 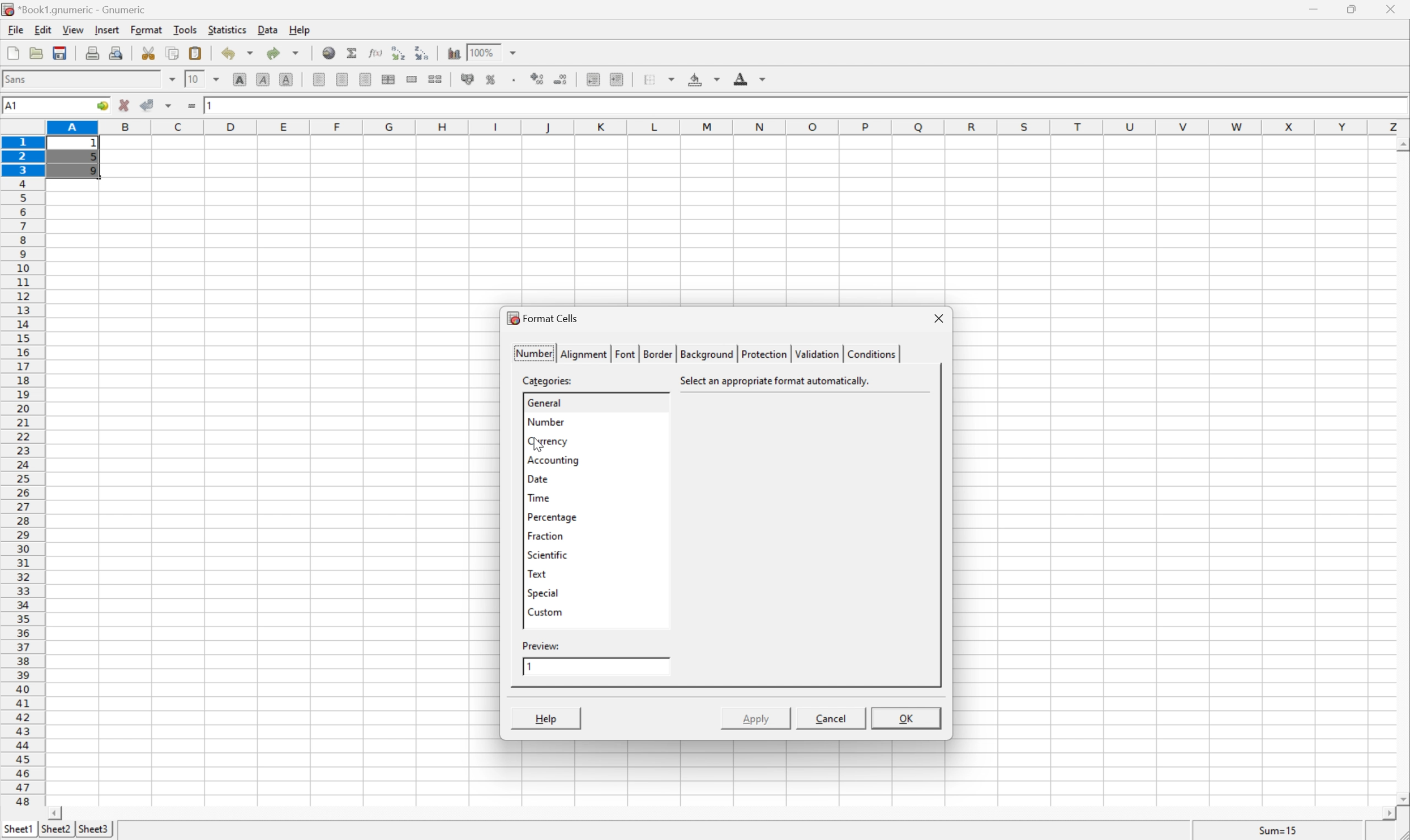 I want to click on cancel changes, so click(x=125, y=105).